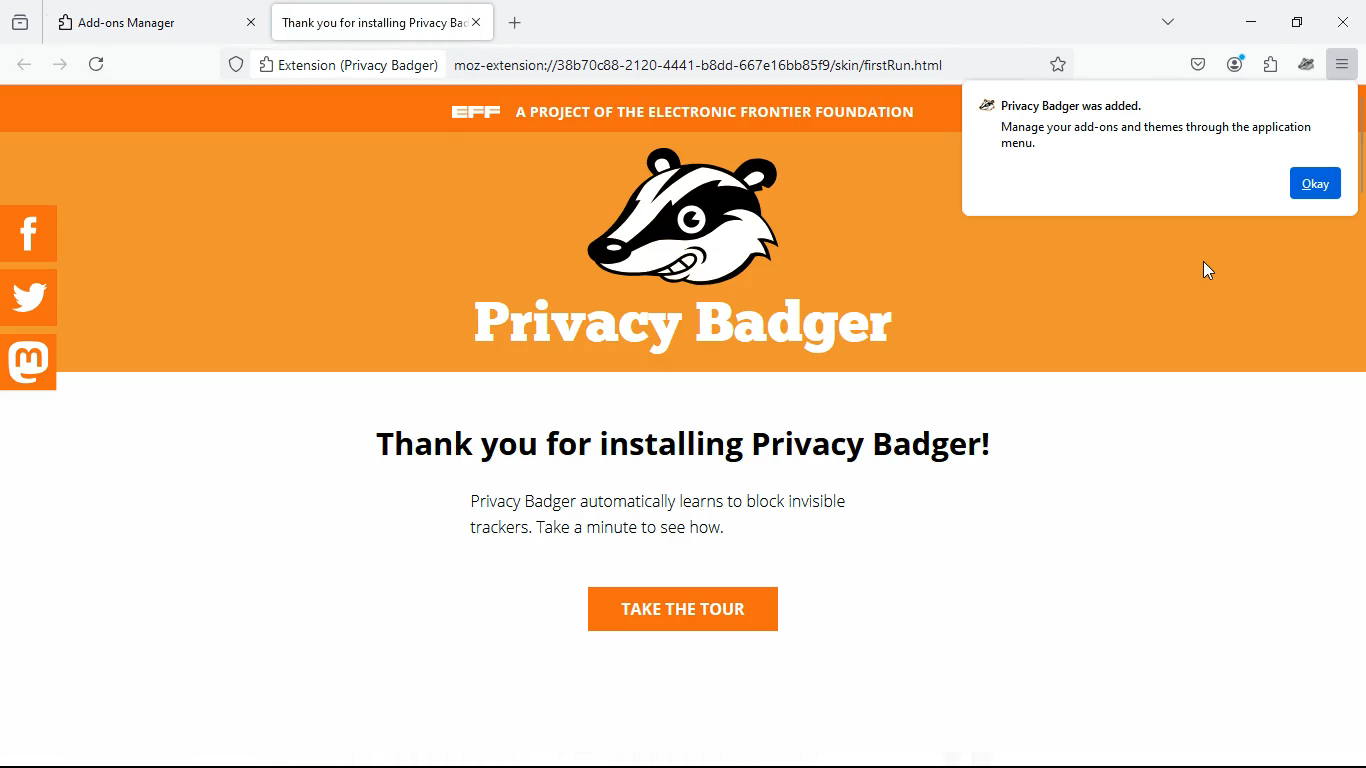  I want to click on privacy badger, so click(1309, 63).